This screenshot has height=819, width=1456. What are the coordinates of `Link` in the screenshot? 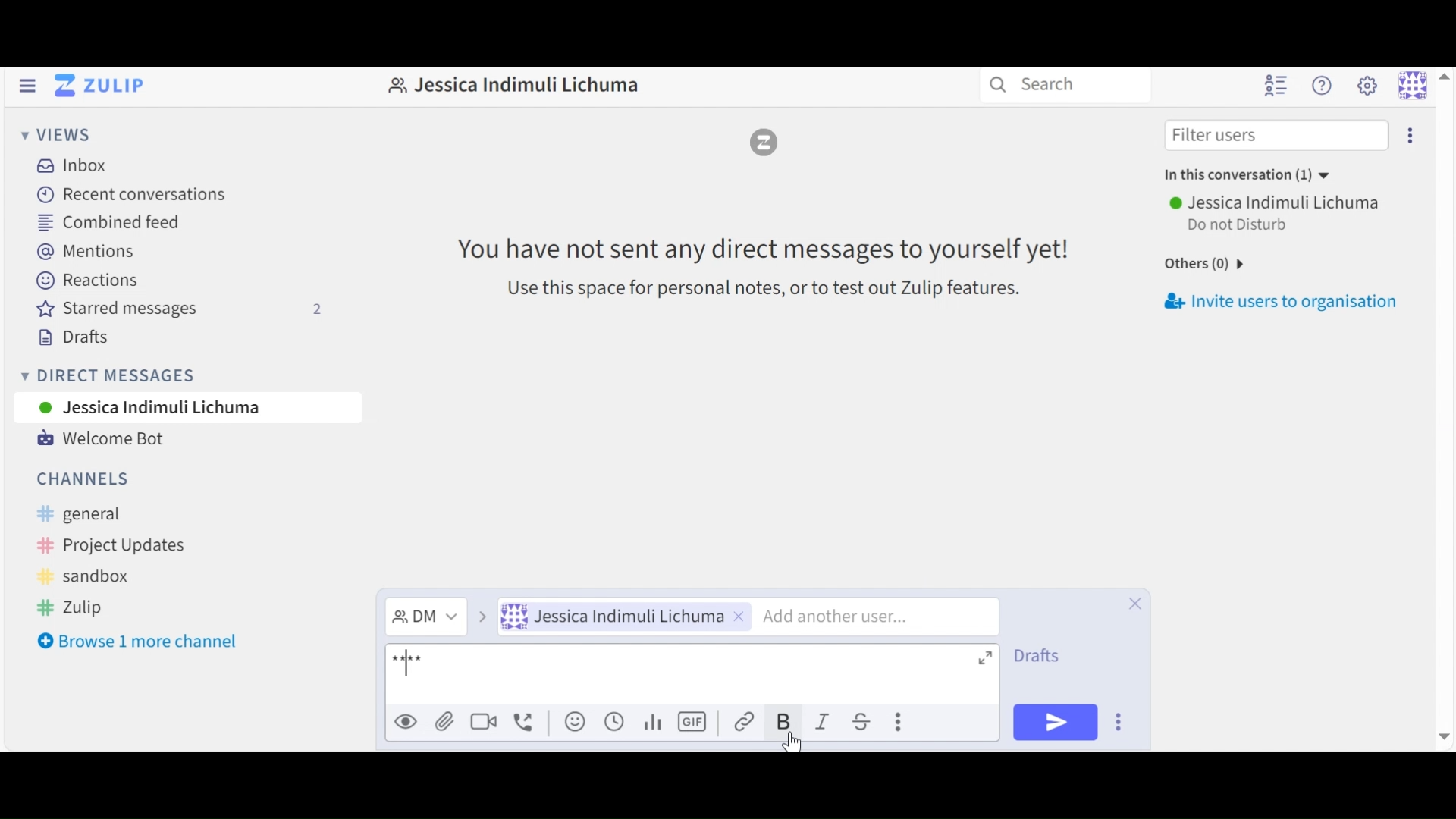 It's located at (748, 721).